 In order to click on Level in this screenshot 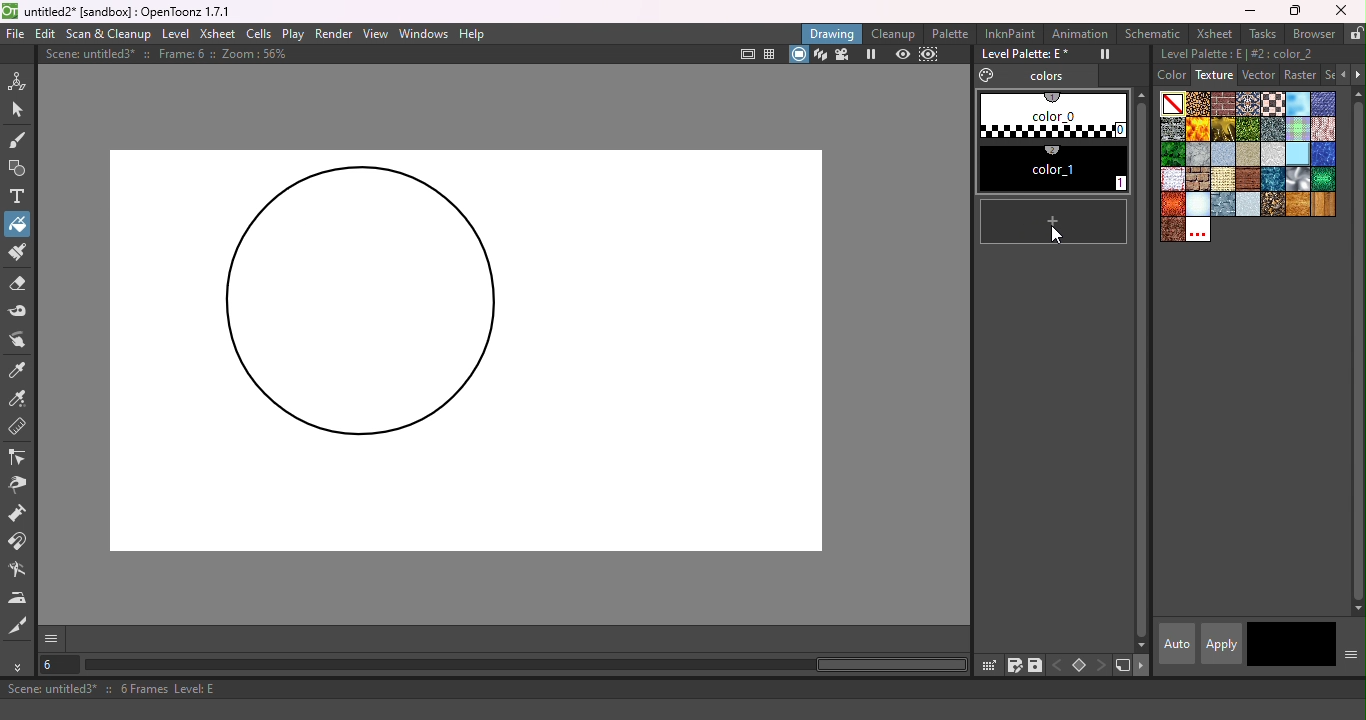, I will do `click(177, 33)`.